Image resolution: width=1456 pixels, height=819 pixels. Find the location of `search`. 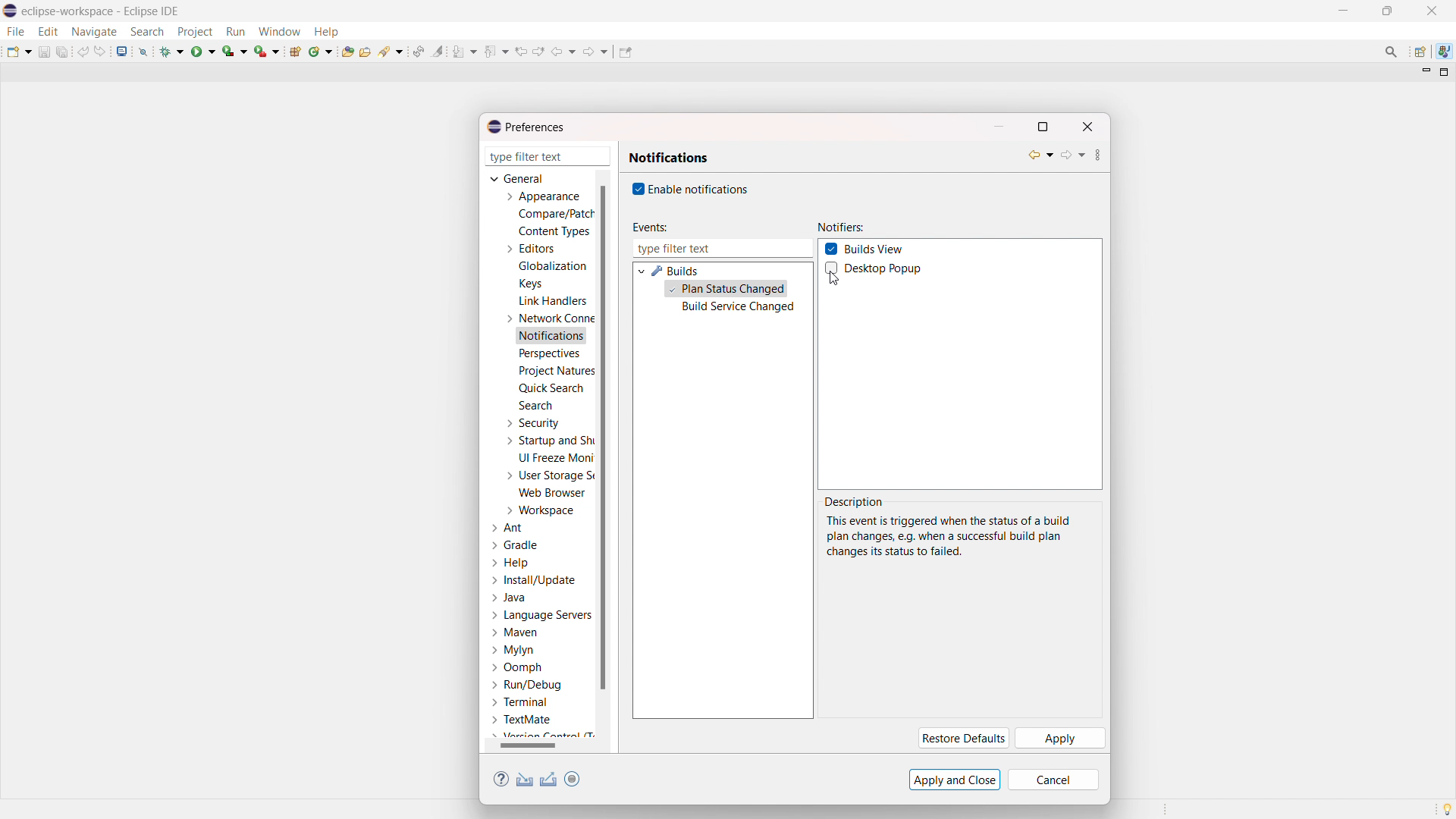

search is located at coordinates (392, 50).